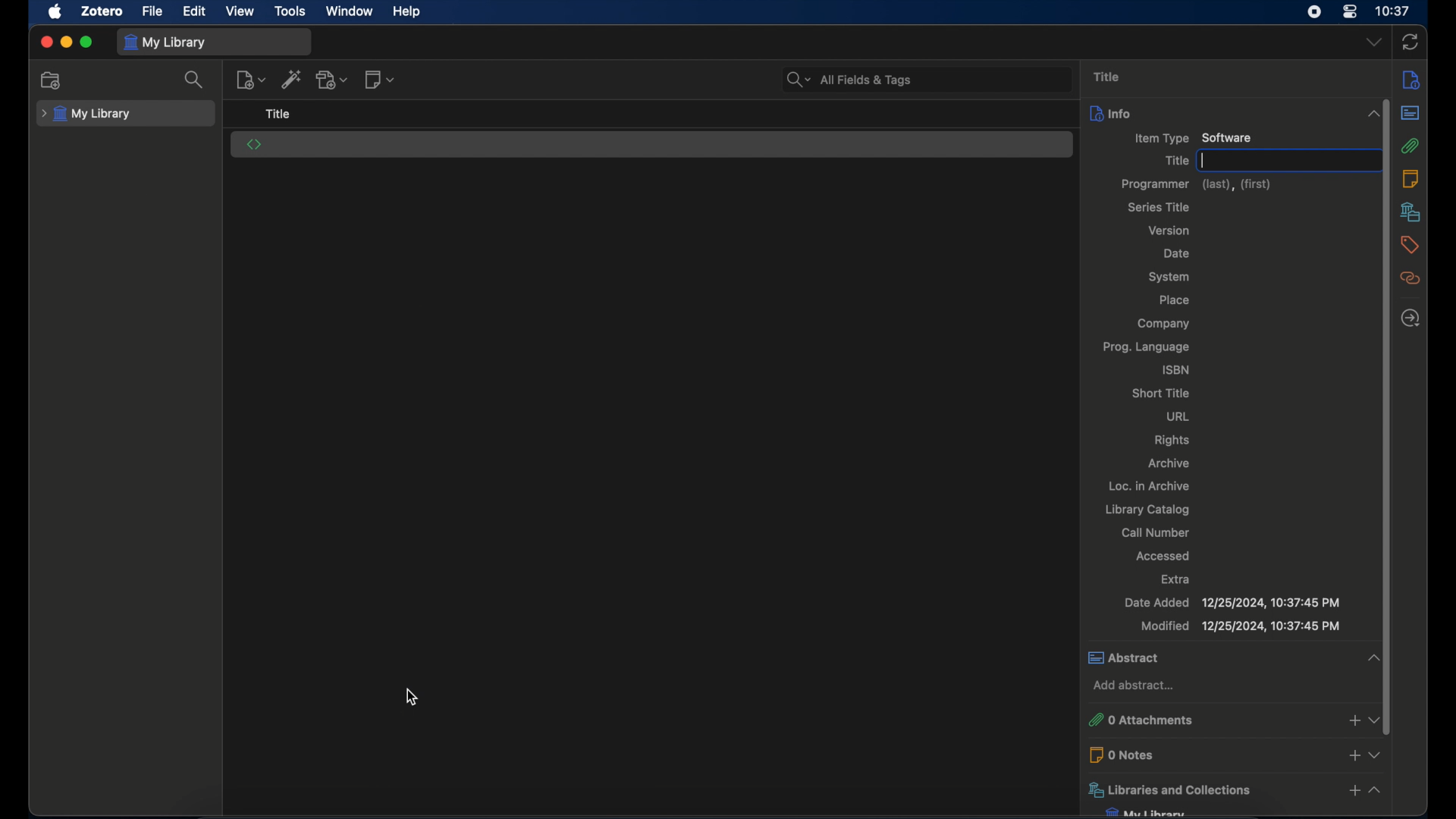  What do you see at coordinates (1376, 754) in the screenshot?
I see `dropdown` at bounding box center [1376, 754].